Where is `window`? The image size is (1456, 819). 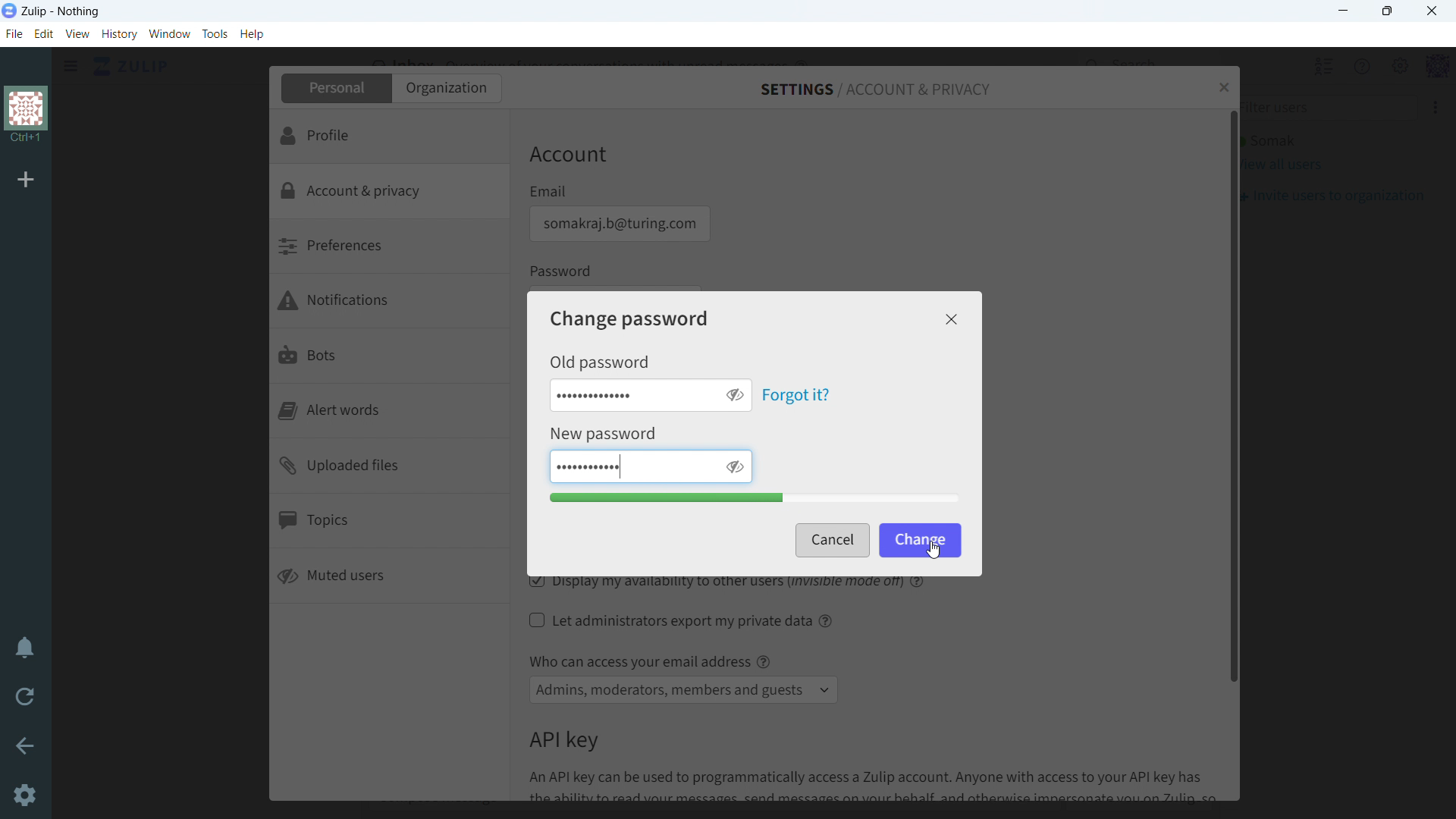 window is located at coordinates (171, 34).